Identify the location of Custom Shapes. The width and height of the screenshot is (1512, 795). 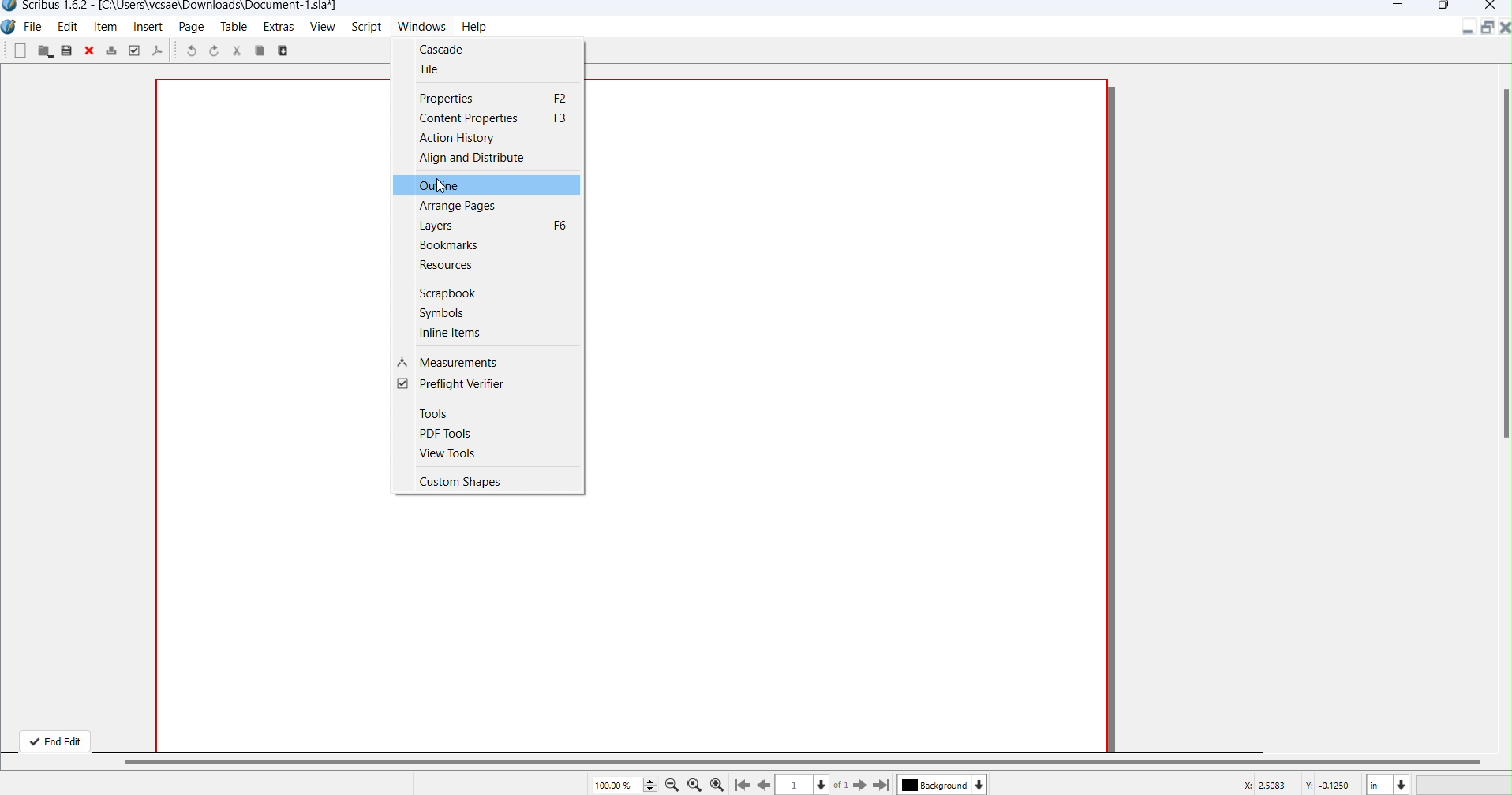
(473, 480).